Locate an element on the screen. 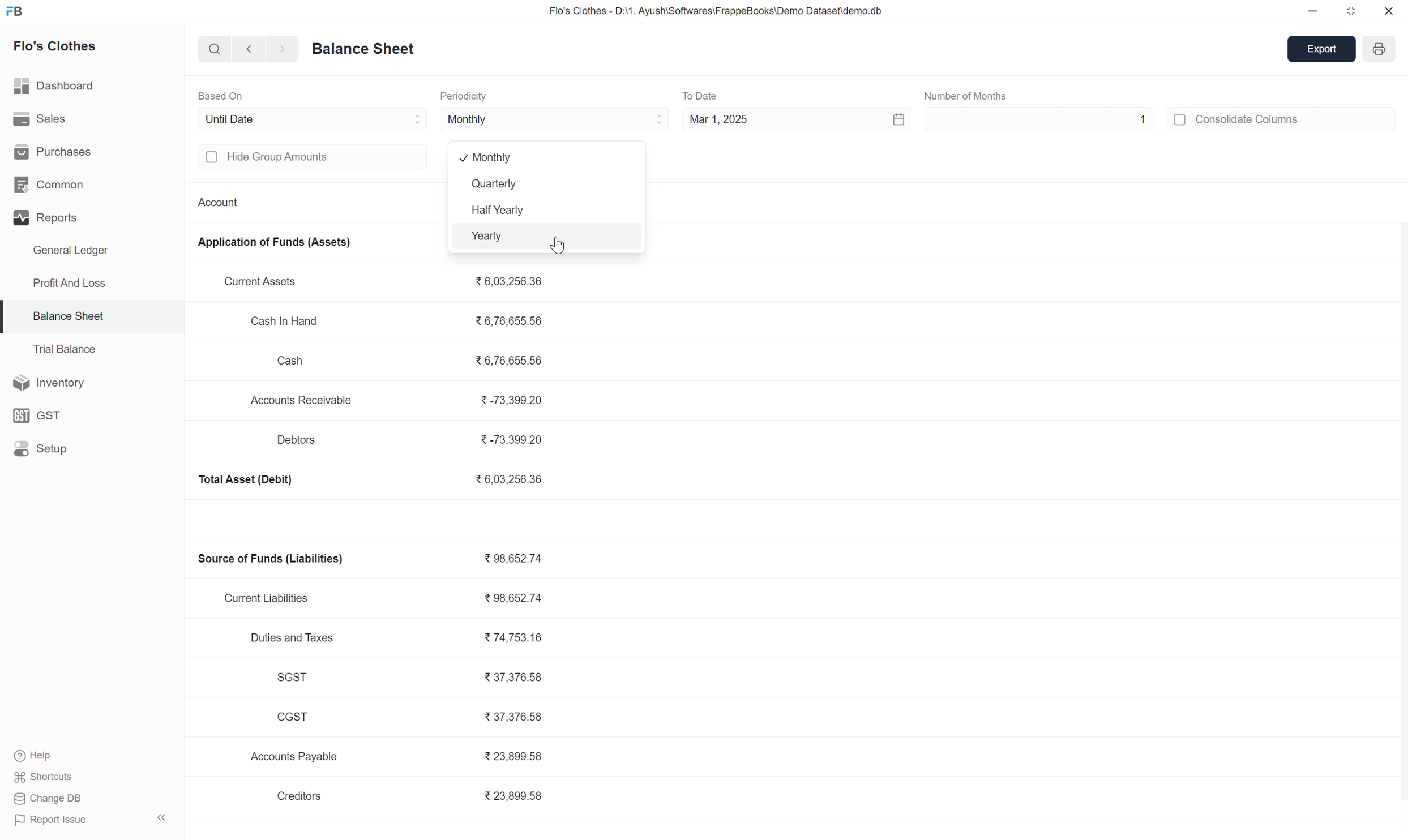 This screenshot has height=840, width=1408. Trial Balance is located at coordinates (70, 350).